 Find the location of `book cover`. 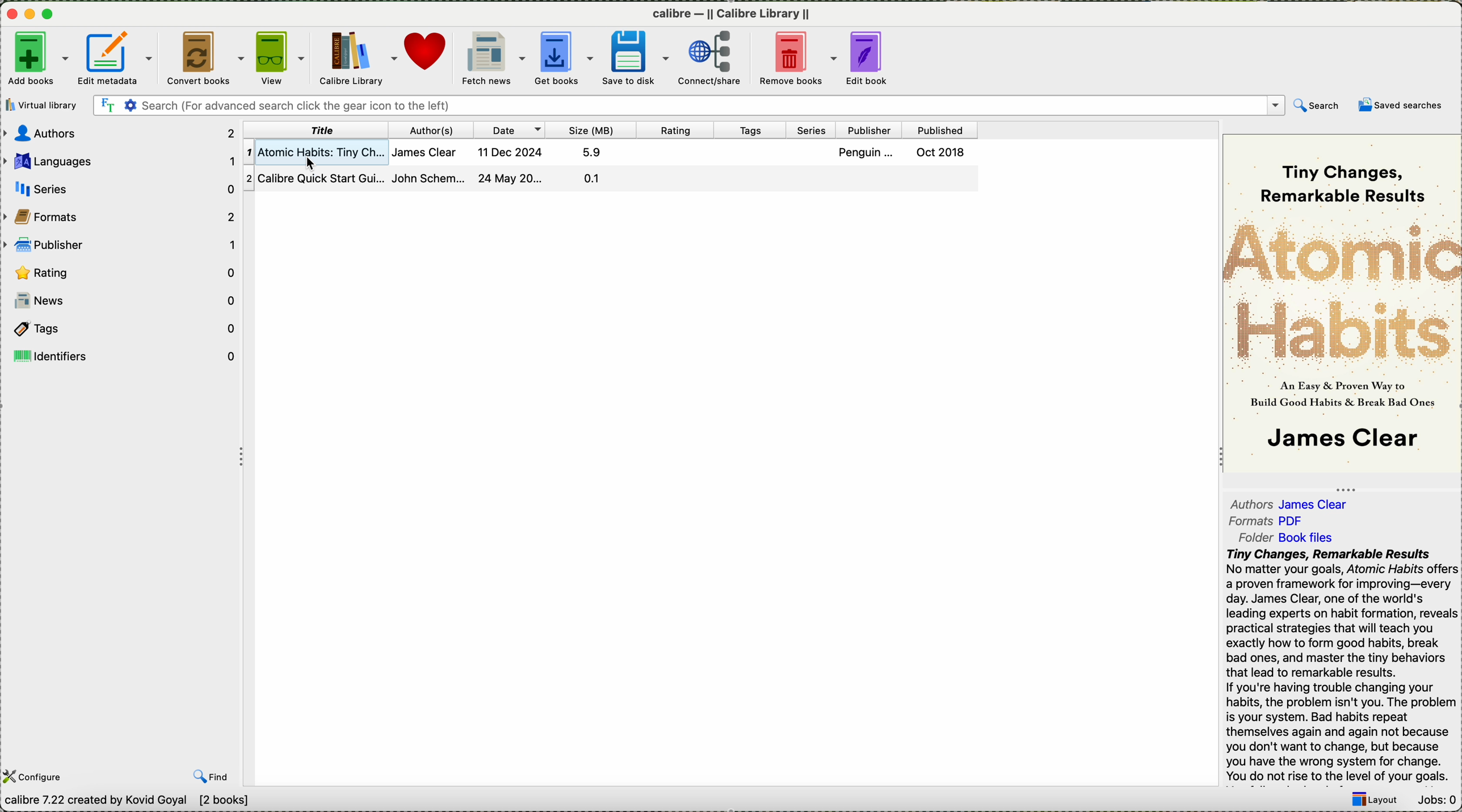

book cover is located at coordinates (1343, 305).